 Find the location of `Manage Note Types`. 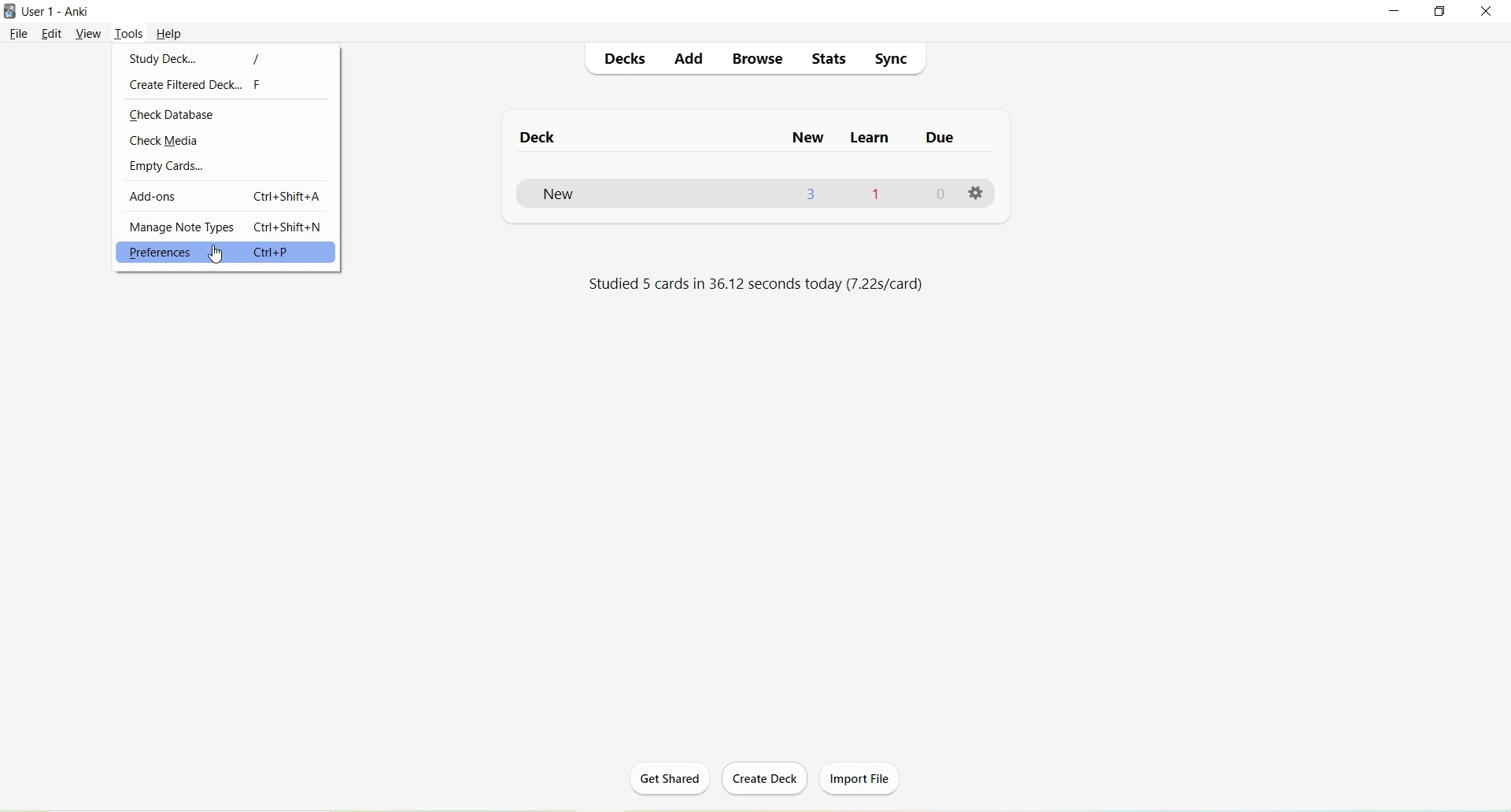

Manage Note Types is located at coordinates (180, 227).